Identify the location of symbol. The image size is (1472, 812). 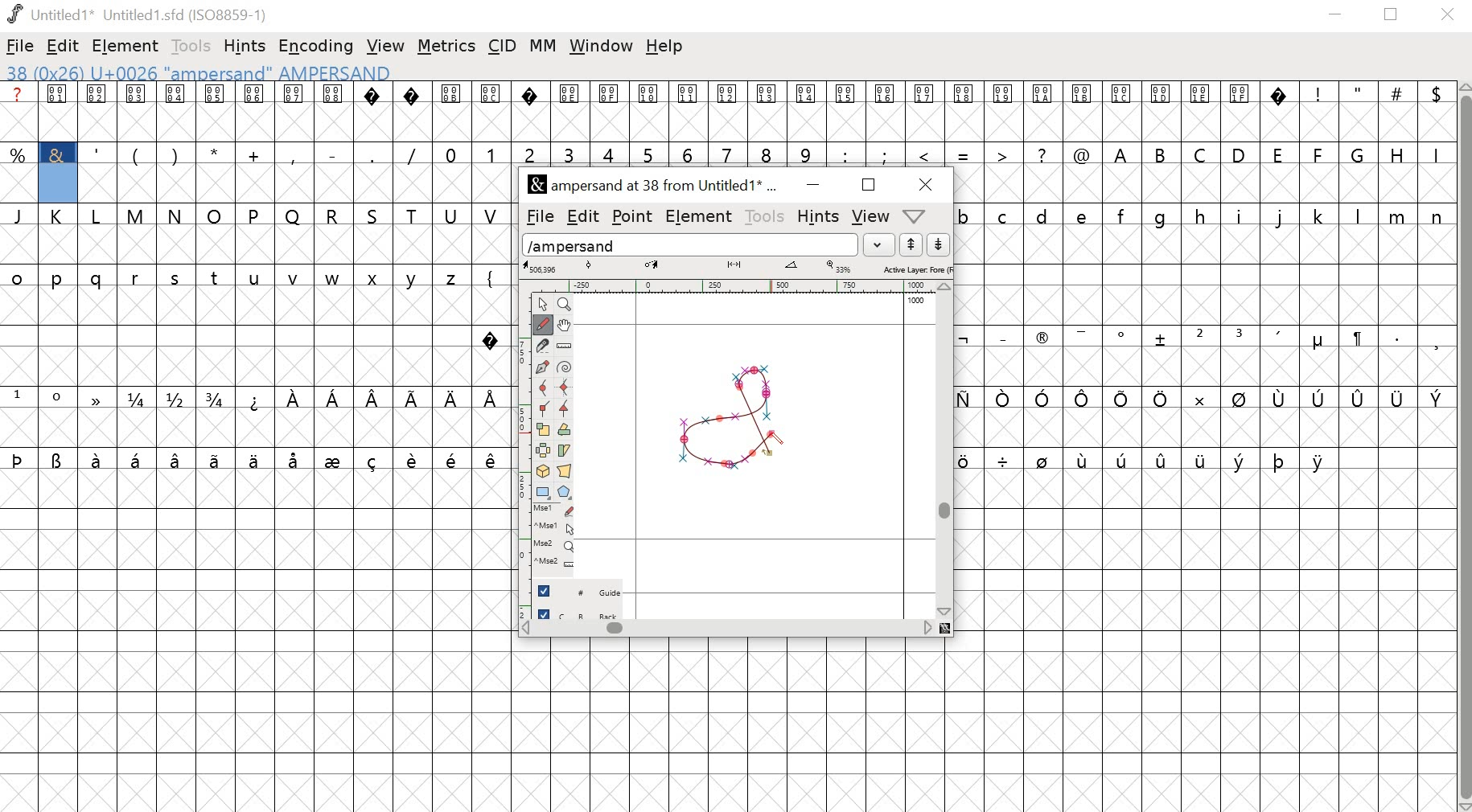
(296, 459).